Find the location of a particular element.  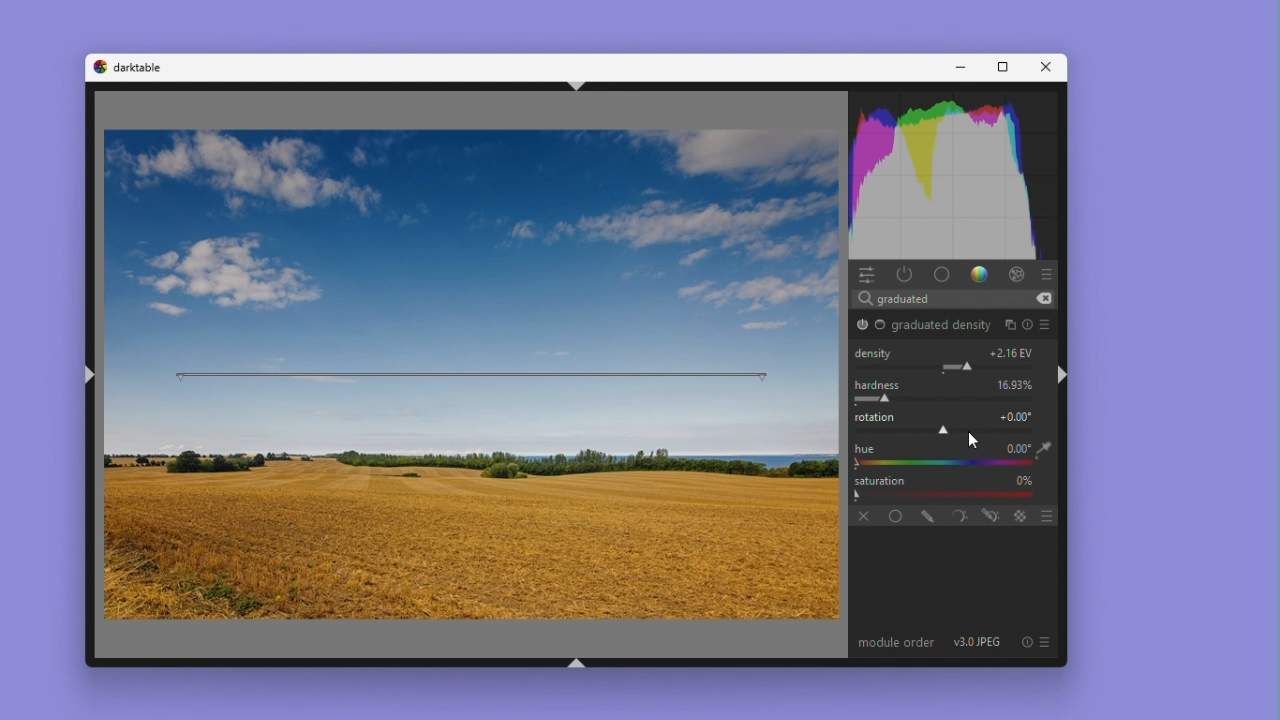

off is located at coordinates (861, 514).